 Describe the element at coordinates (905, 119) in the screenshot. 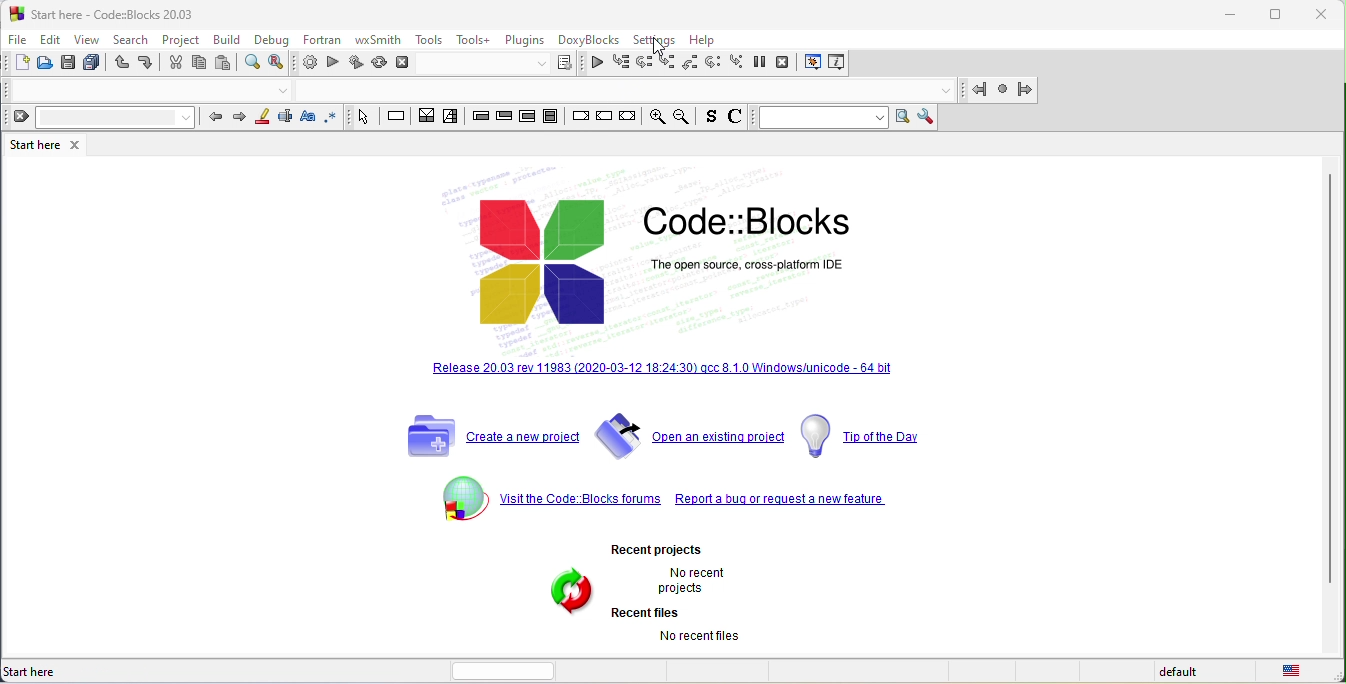

I see `run search` at that location.